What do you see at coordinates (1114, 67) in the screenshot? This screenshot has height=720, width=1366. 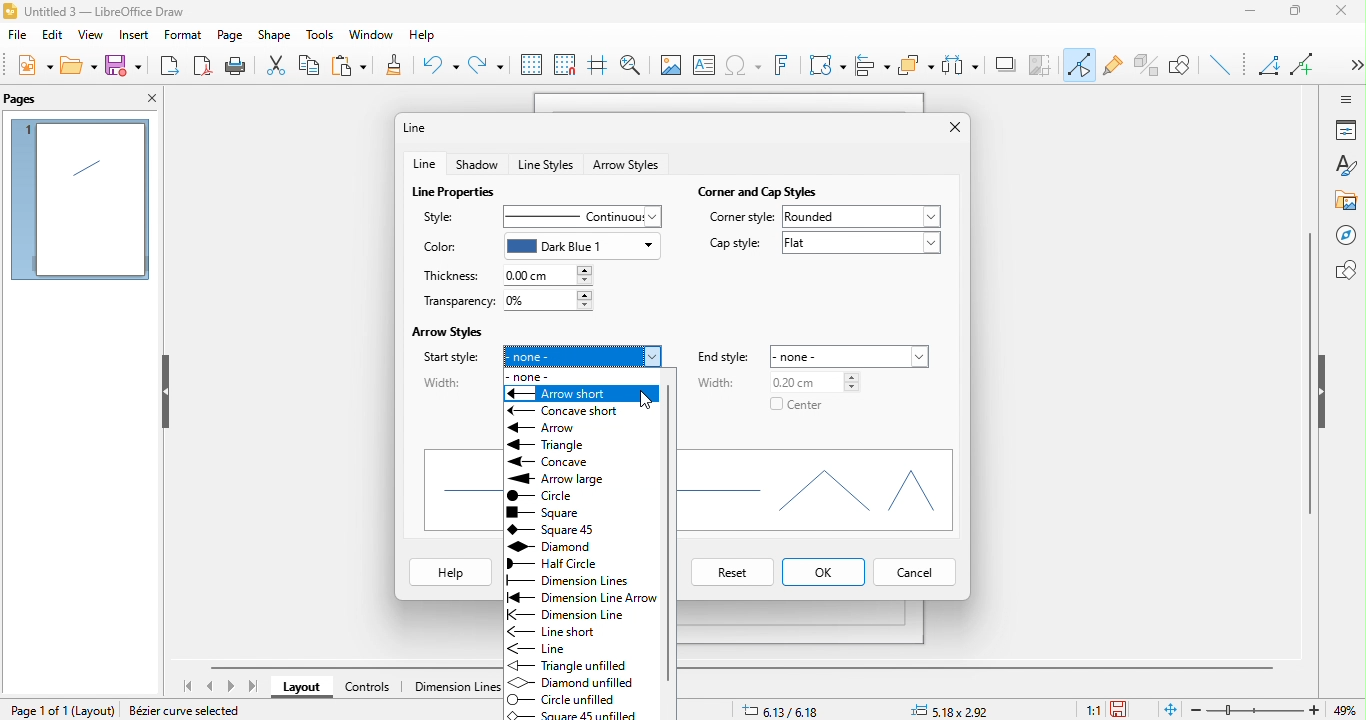 I see `gluepoint function` at bounding box center [1114, 67].